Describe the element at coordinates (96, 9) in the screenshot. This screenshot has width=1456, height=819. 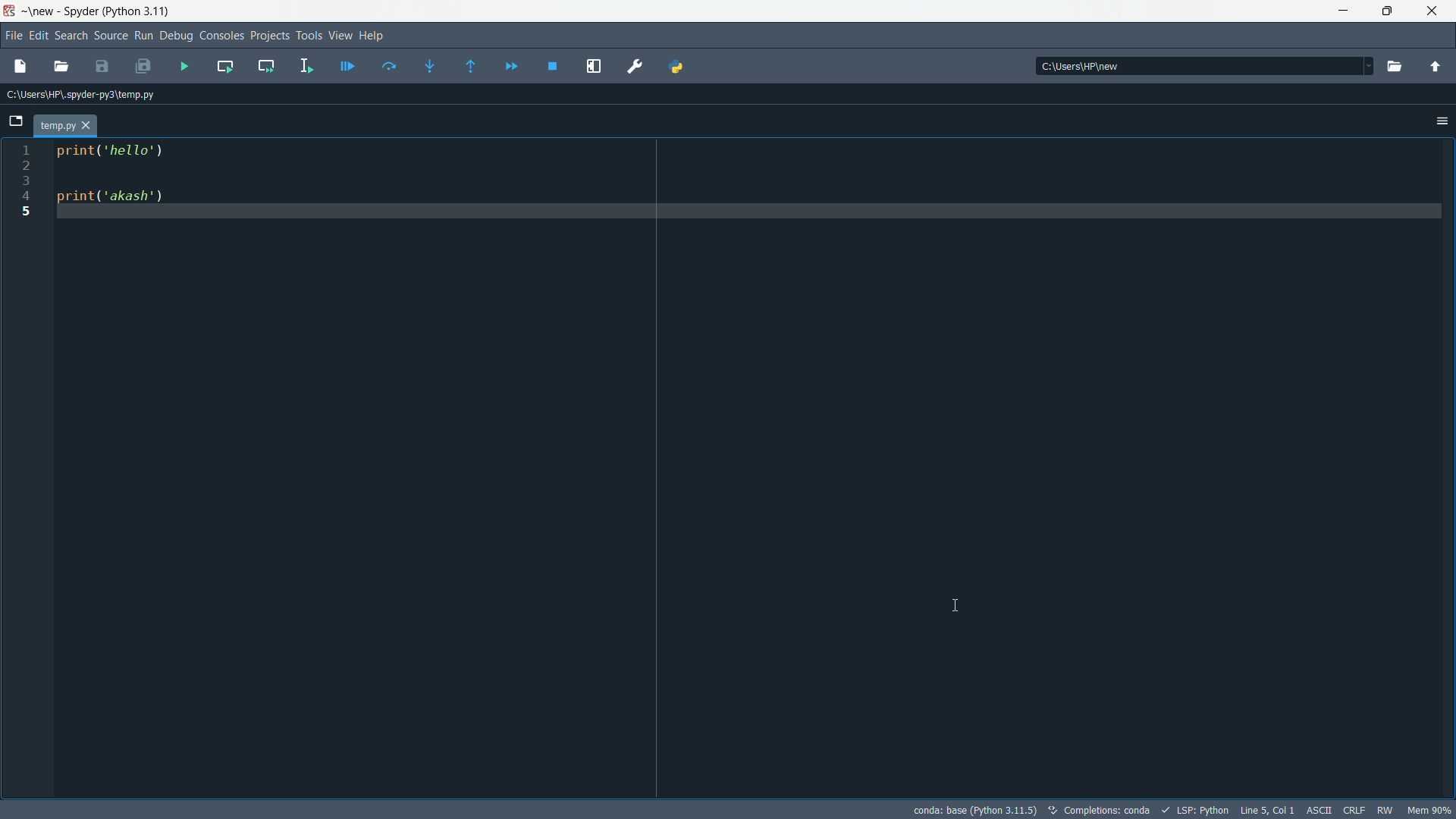
I see `\new-Spider (Python 3.11)` at that location.